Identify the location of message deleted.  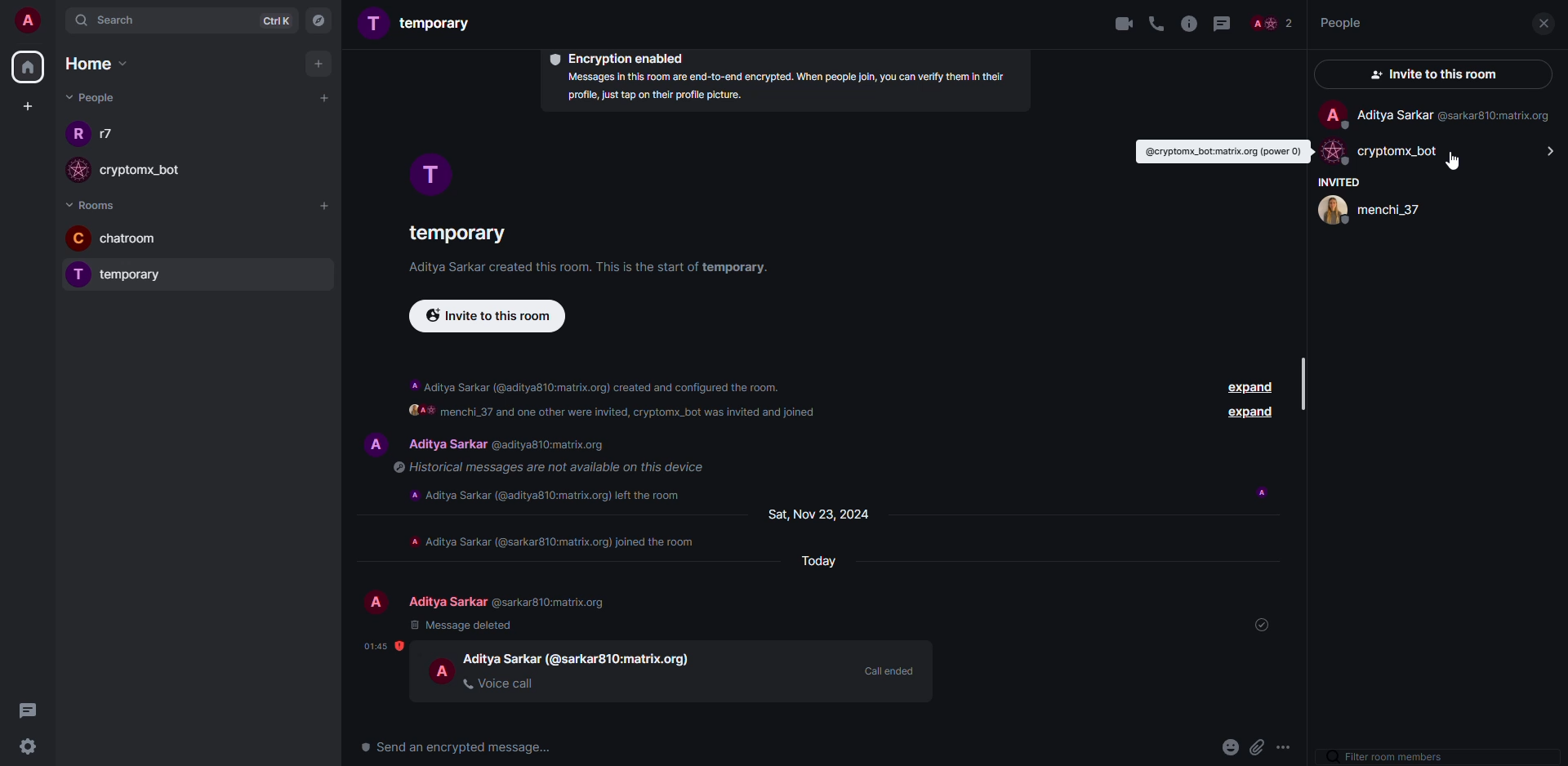
(463, 625).